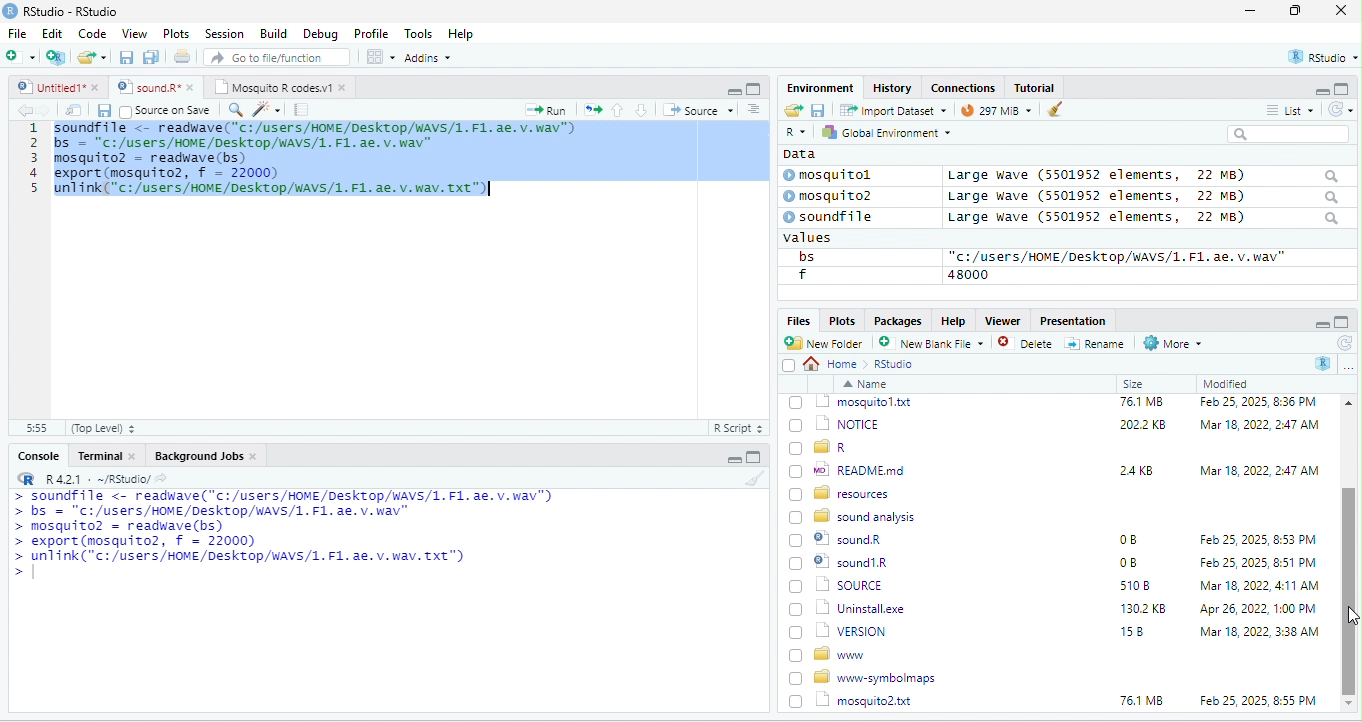 Image resolution: width=1362 pixels, height=722 pixels. Describe the element at coordinates (371, 34) in the screenshot. I see `Profile` at that location.